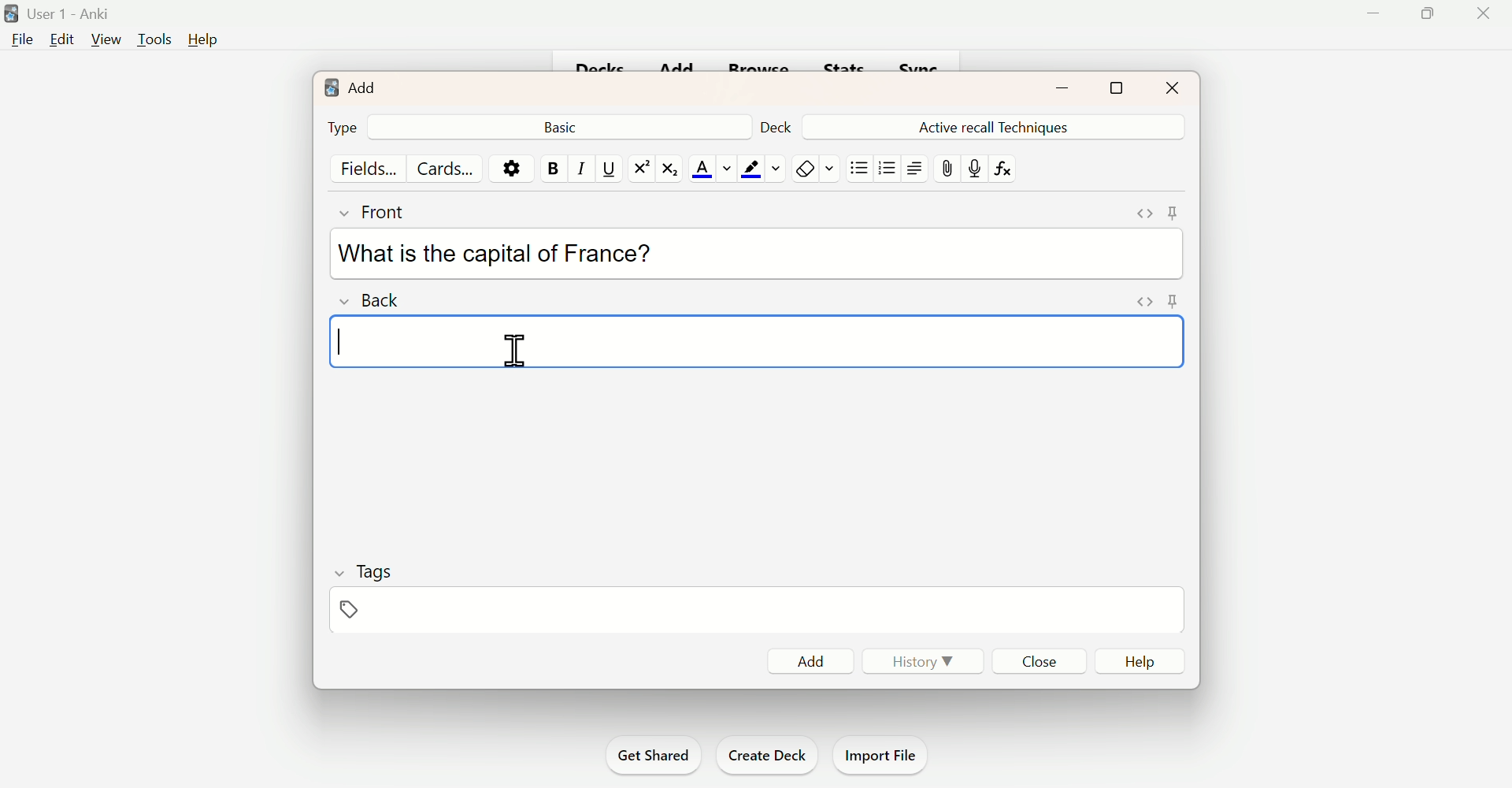 Image resolution: width=1512 pixels, height=788 pixels. Describe the element at coordinates (369, 592) in the screenshot. I see `Tags` at that location.